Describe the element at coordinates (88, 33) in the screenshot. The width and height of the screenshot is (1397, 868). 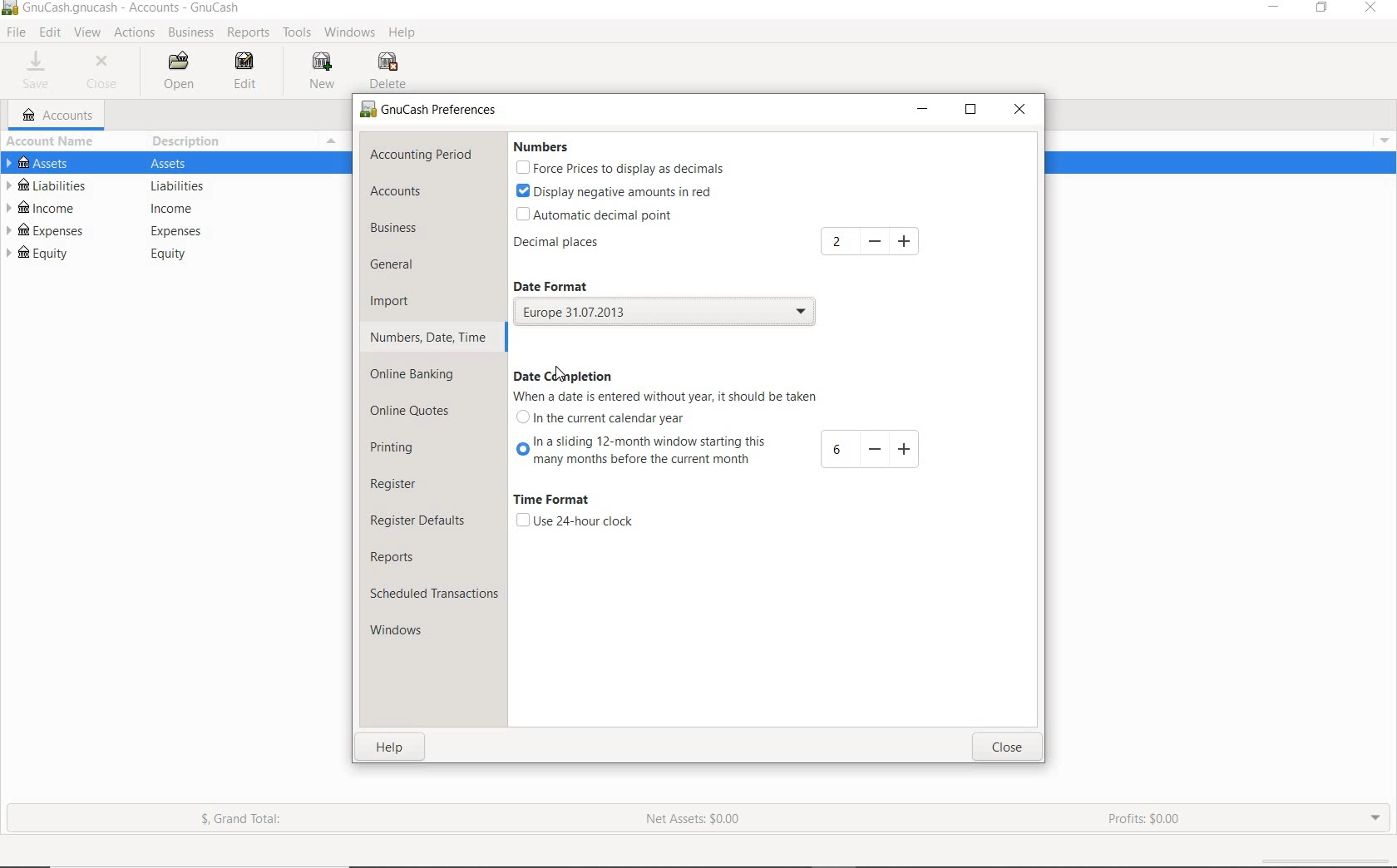
I see `VIEW` at that location.